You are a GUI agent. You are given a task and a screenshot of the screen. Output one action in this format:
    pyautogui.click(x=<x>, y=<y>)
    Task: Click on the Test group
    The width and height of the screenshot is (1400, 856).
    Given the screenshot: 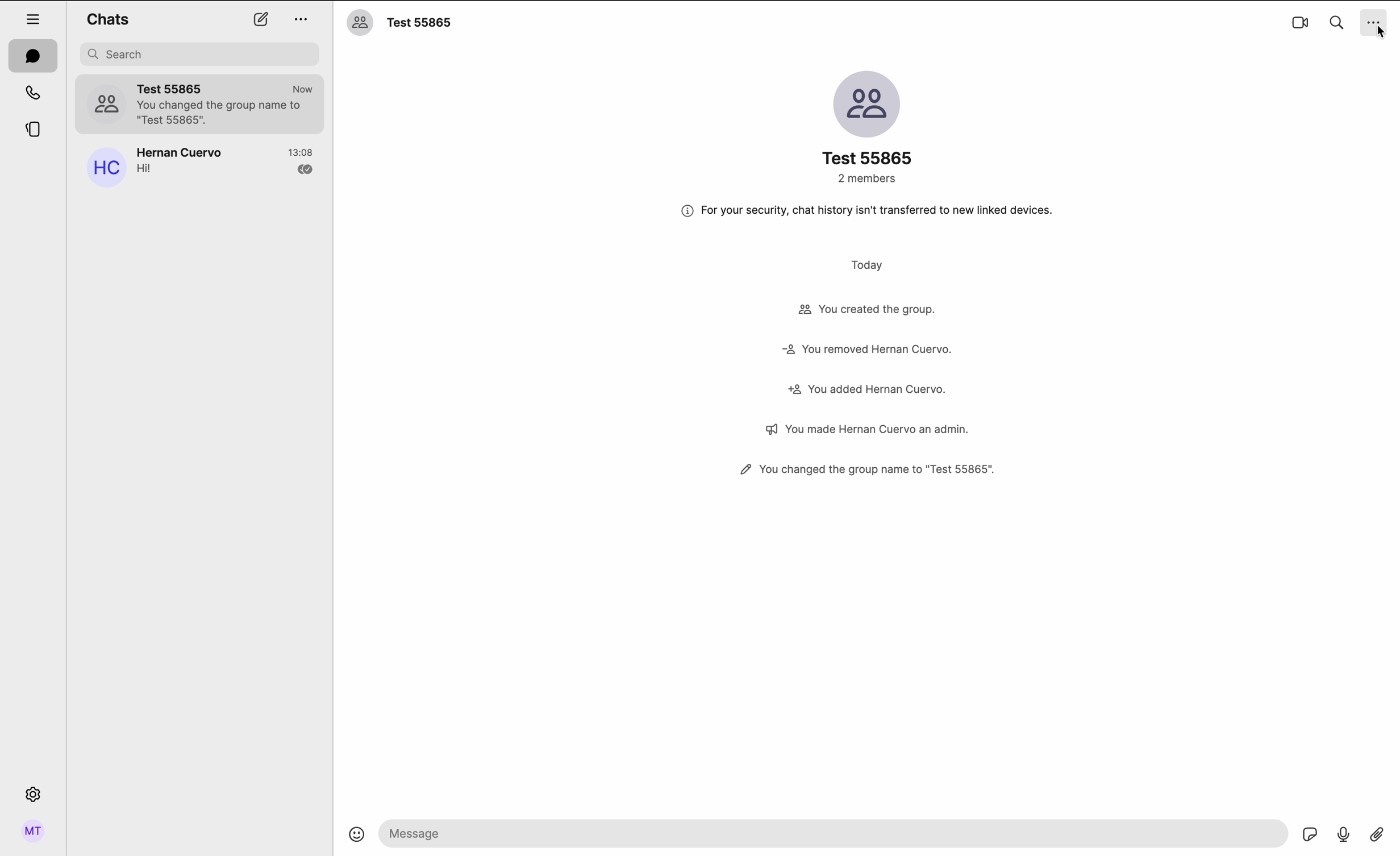 What is the action you would take?
    pyautogui.click(x=227, y=104)
    